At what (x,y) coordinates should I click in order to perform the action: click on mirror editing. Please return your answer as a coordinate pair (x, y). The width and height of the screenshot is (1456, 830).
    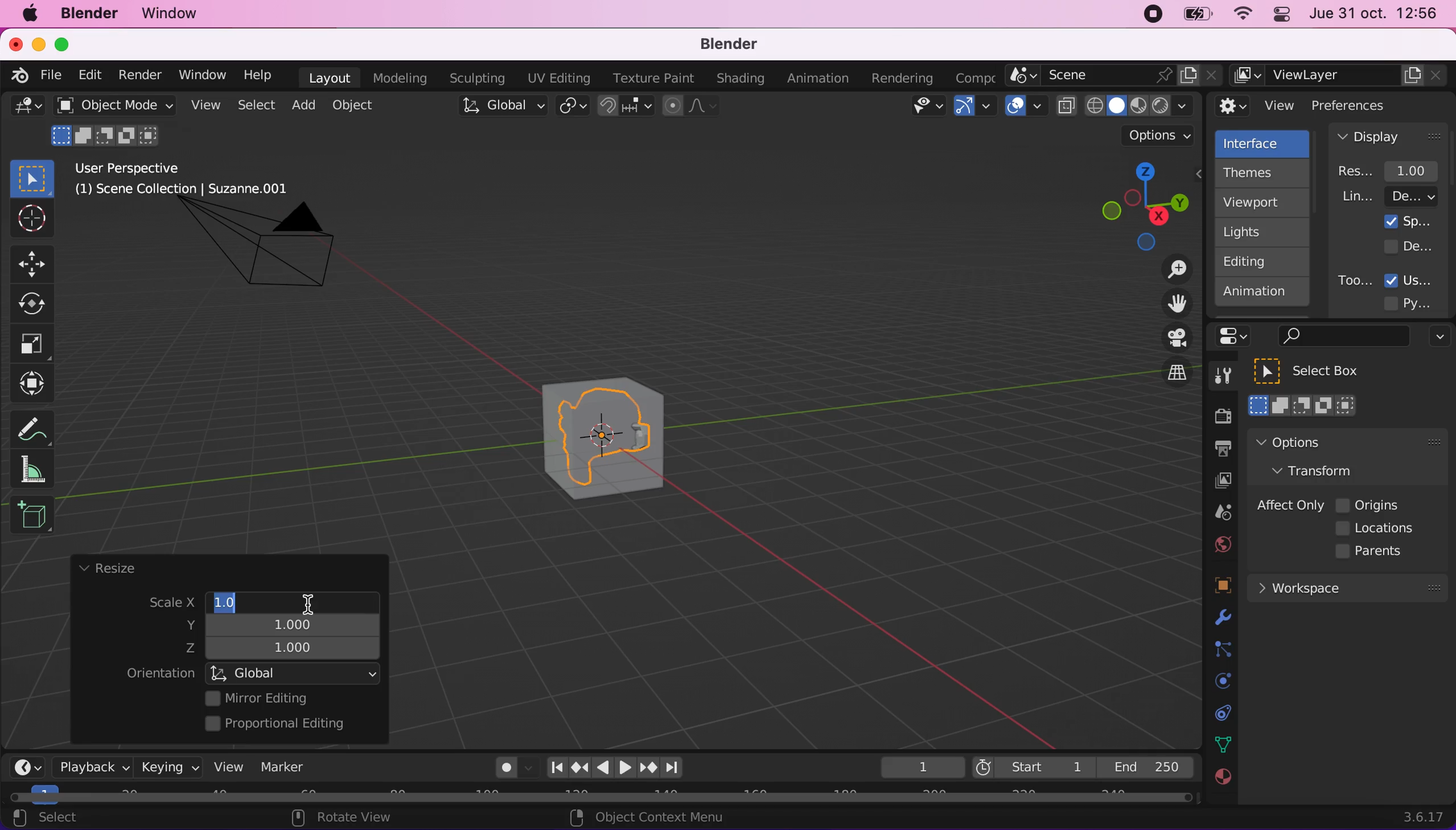
    Looking at the image, I should click on (289, 698).